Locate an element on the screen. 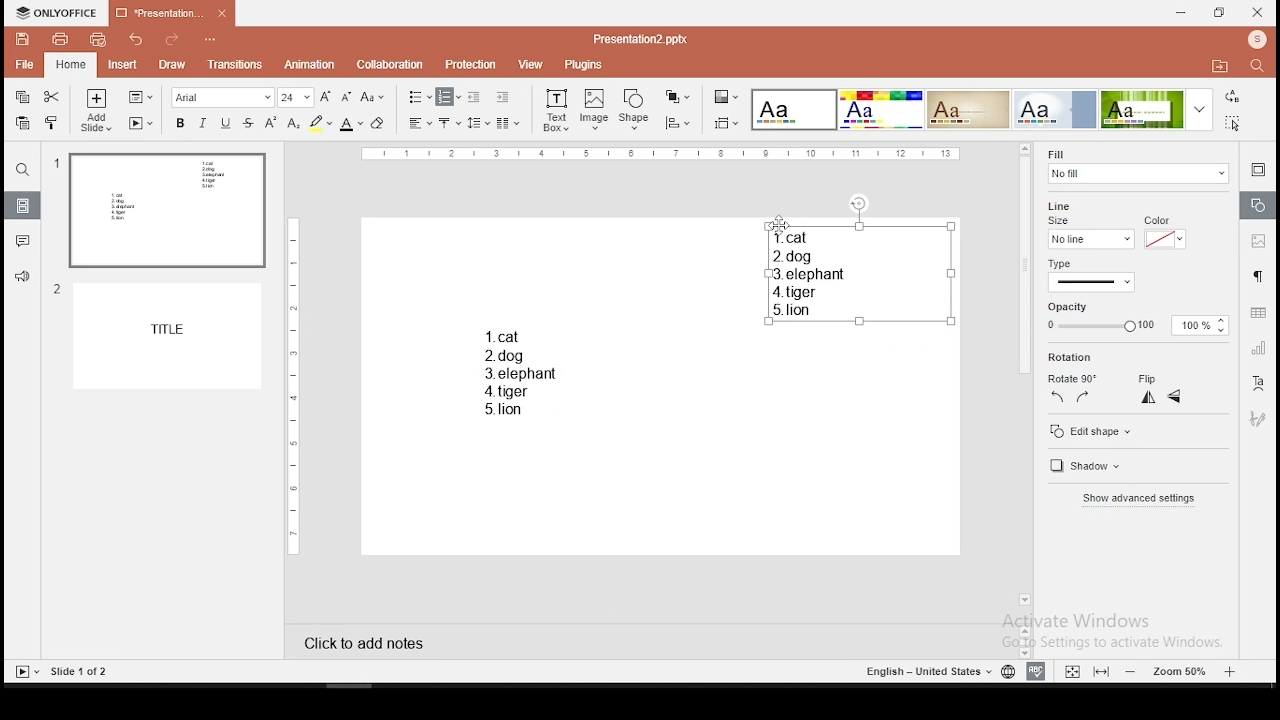 Image resolution: width=1280 pixels, height=720 pixels. change color theme is located at coordinates (726, 96).